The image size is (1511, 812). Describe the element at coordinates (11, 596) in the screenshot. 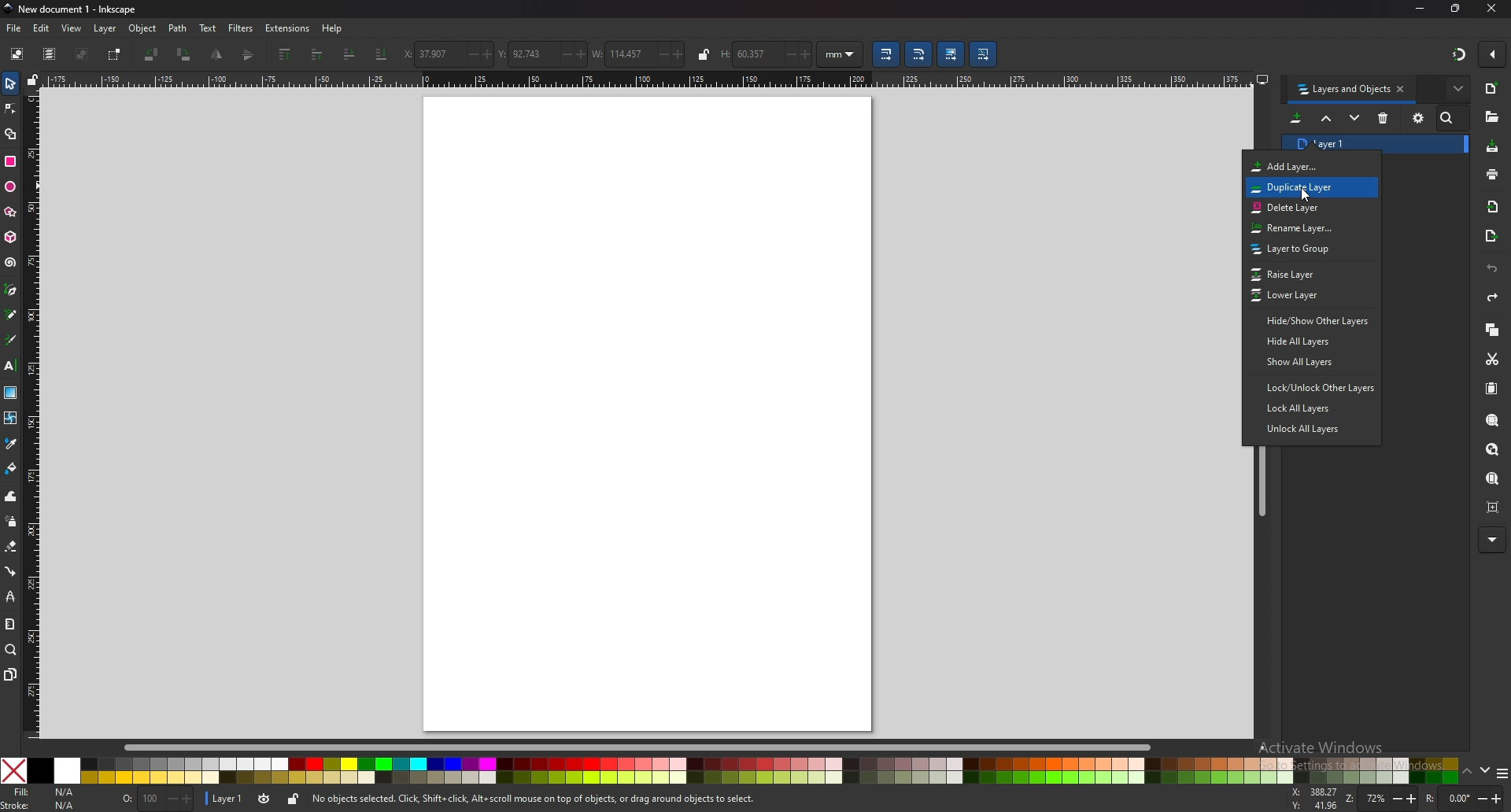

I see `lpe` at that location.